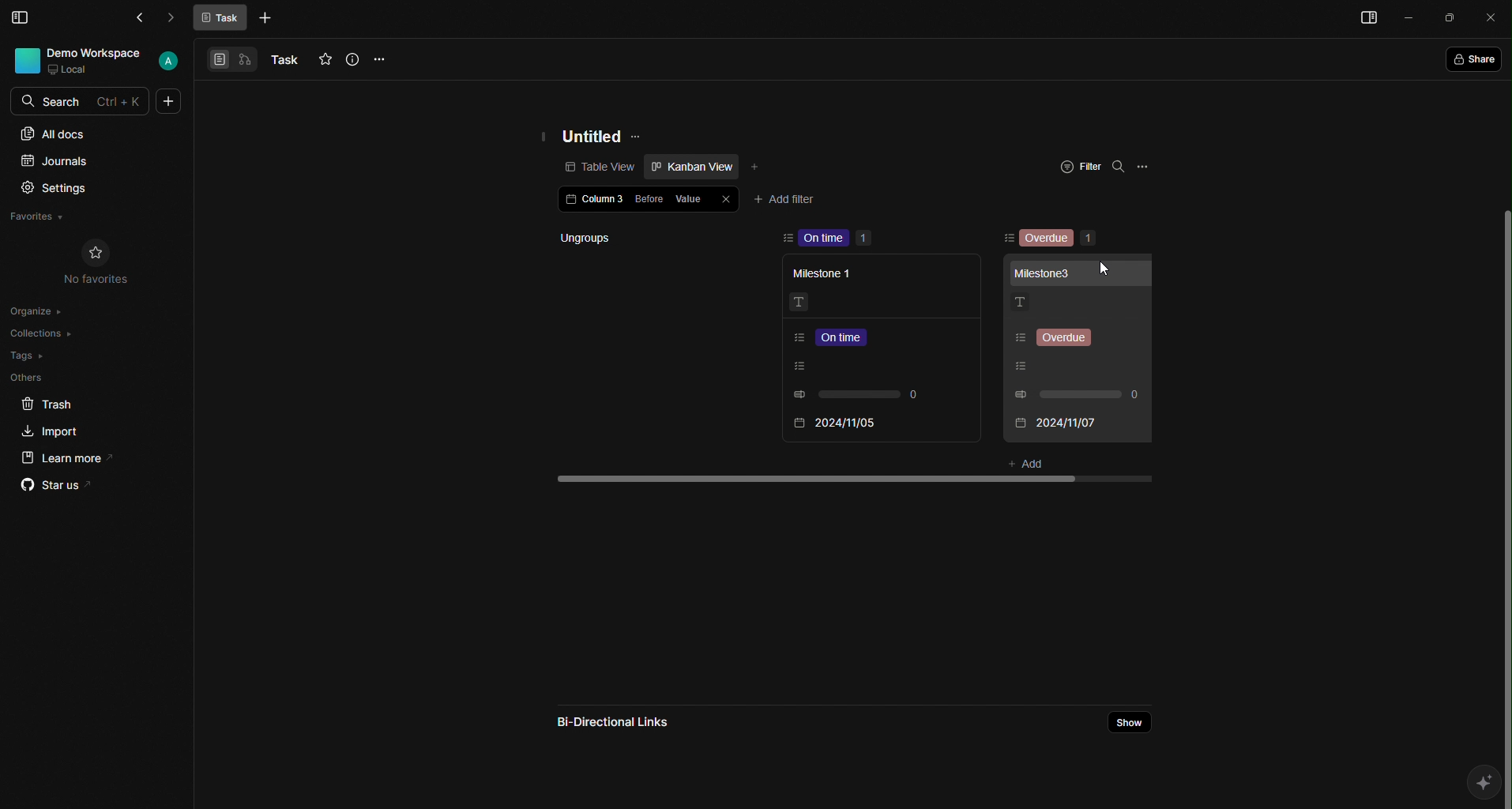 Image resolution: width=1512 pixels, height=809 pixels. Describe the element at coordinates (1411, 16) in the screenshot. I see `Minimize` at that location.